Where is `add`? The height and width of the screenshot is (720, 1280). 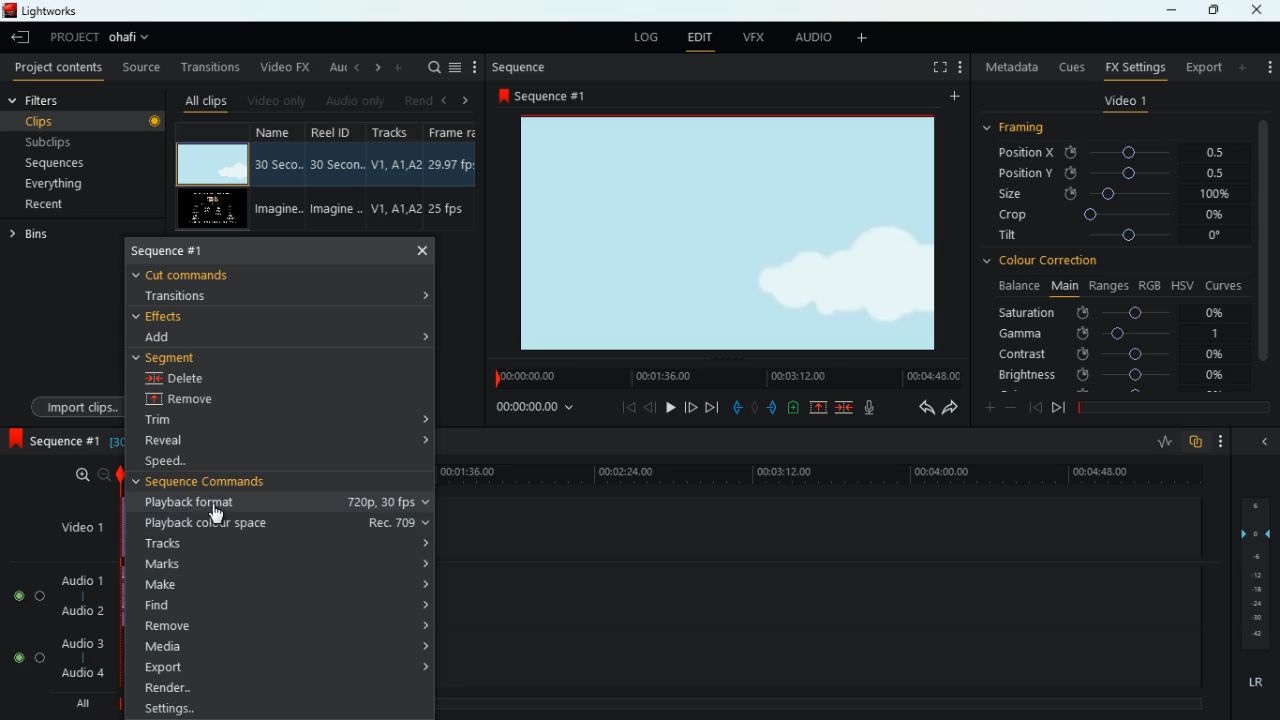 add is located at coordinates (162, 339).